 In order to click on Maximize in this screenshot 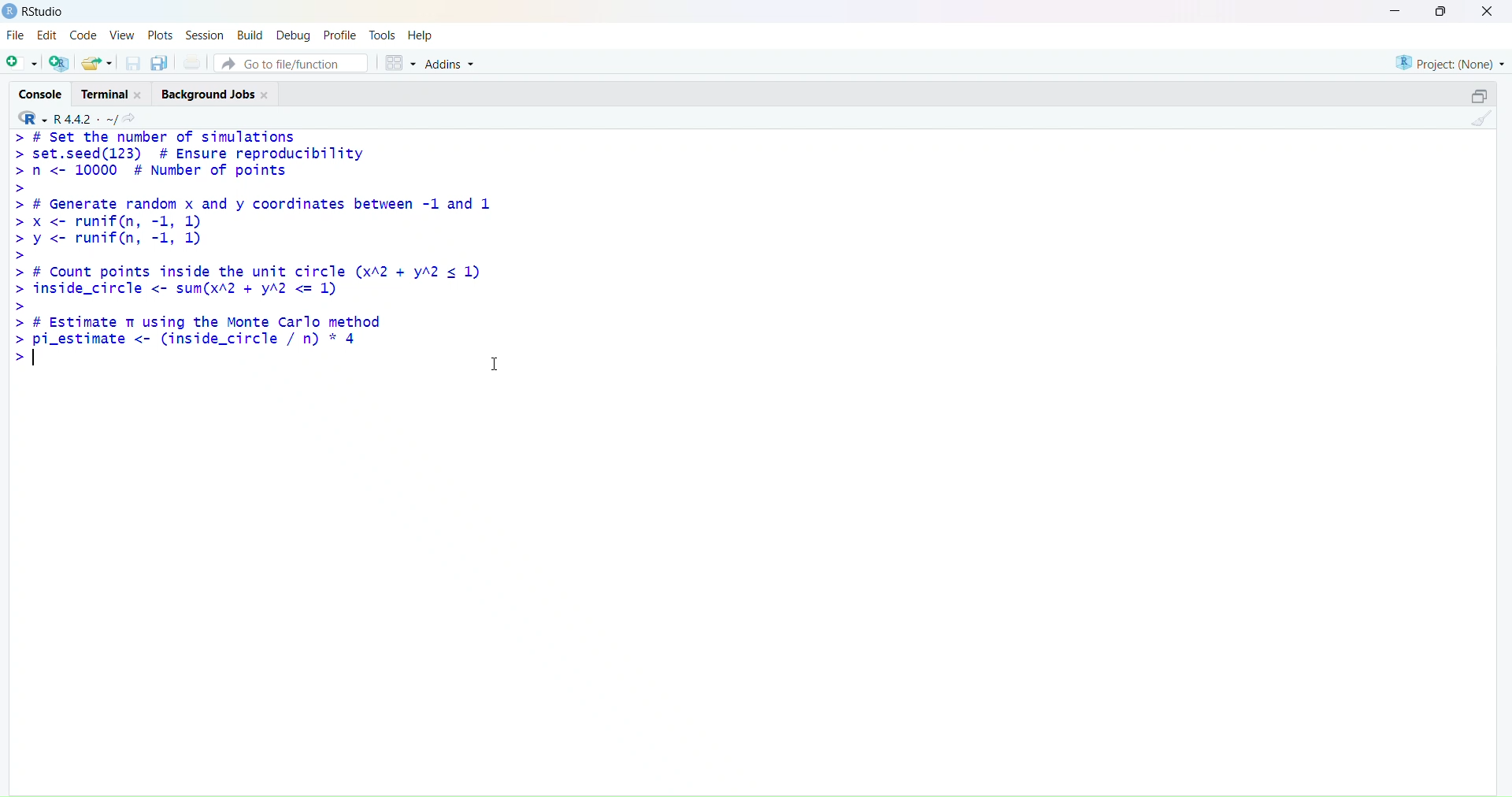, I will do `click(1481, 95)`.